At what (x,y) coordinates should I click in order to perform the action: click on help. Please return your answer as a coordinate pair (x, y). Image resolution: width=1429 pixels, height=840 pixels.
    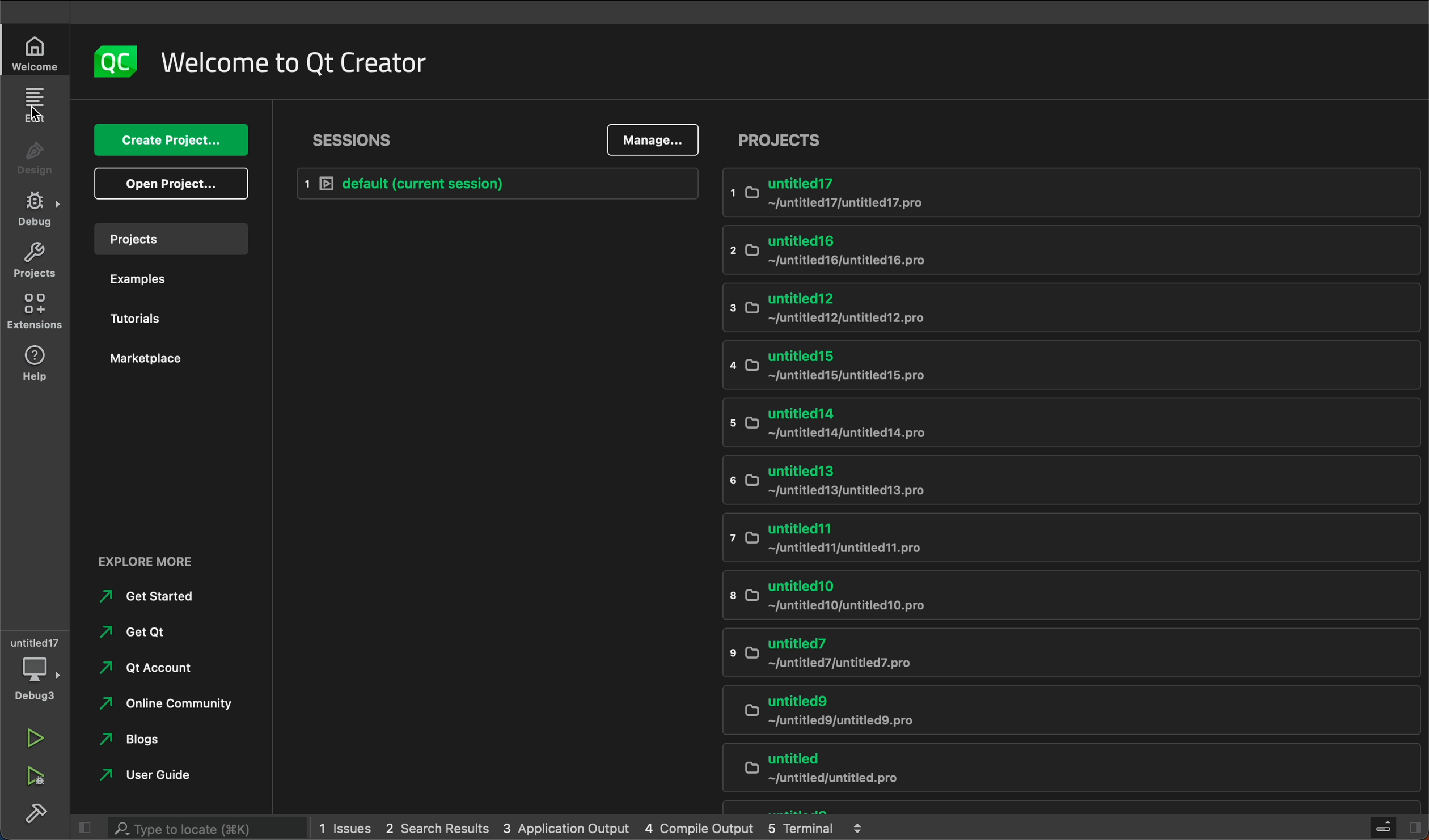
    Looking at the image, I should click on (37, 364).